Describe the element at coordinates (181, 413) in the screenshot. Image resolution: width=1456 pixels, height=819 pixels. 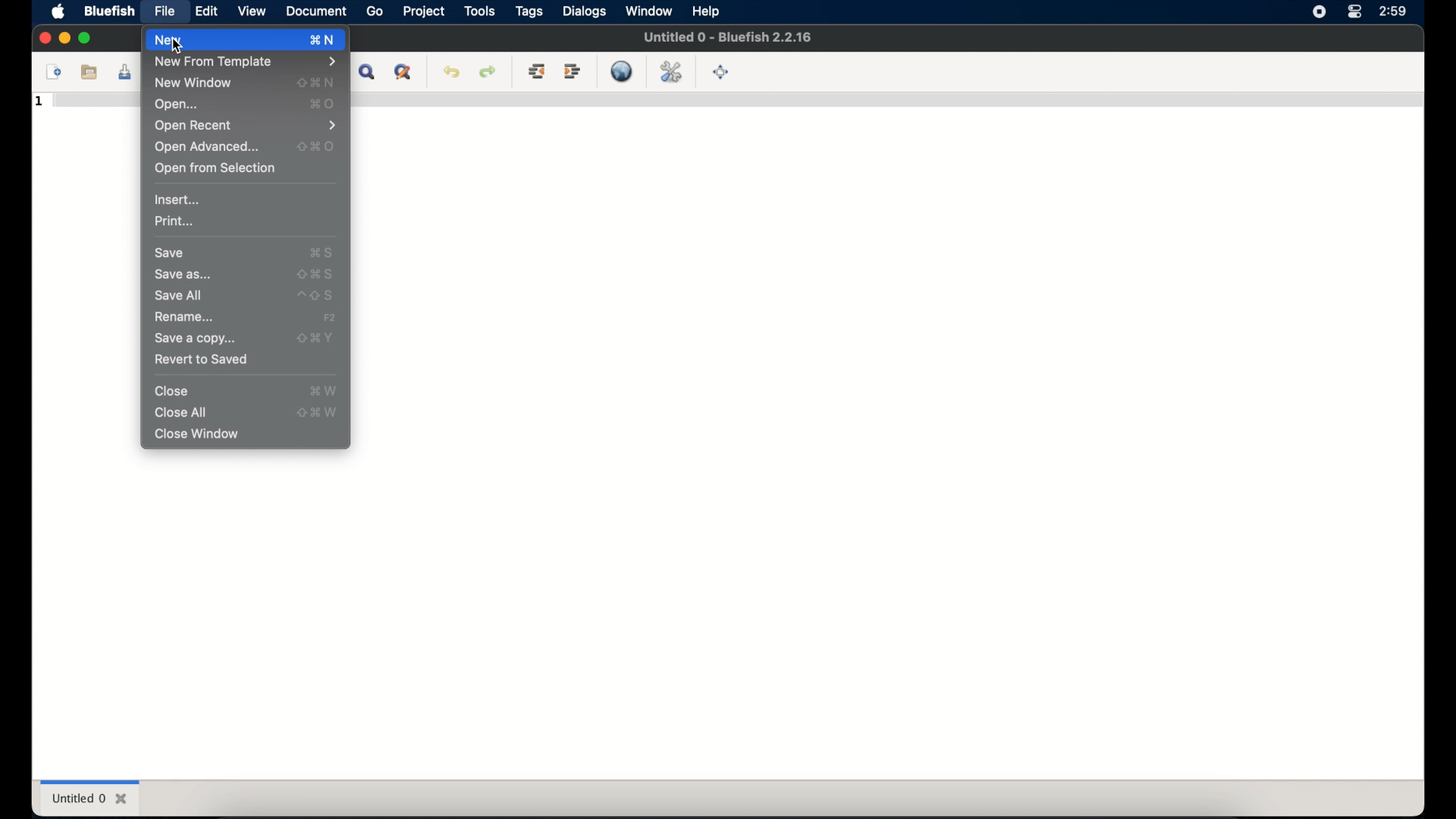
I see `close all` at that location.